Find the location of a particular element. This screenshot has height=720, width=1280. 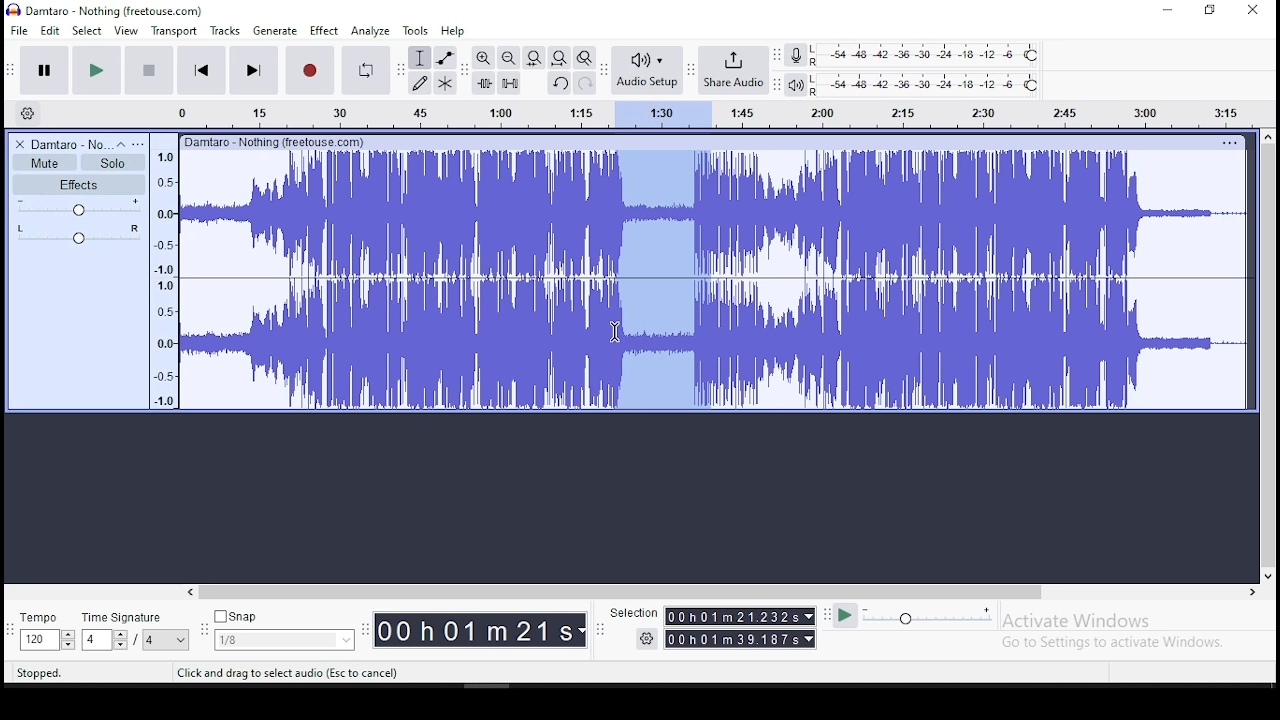

effects is located at coordinates (79, 184).